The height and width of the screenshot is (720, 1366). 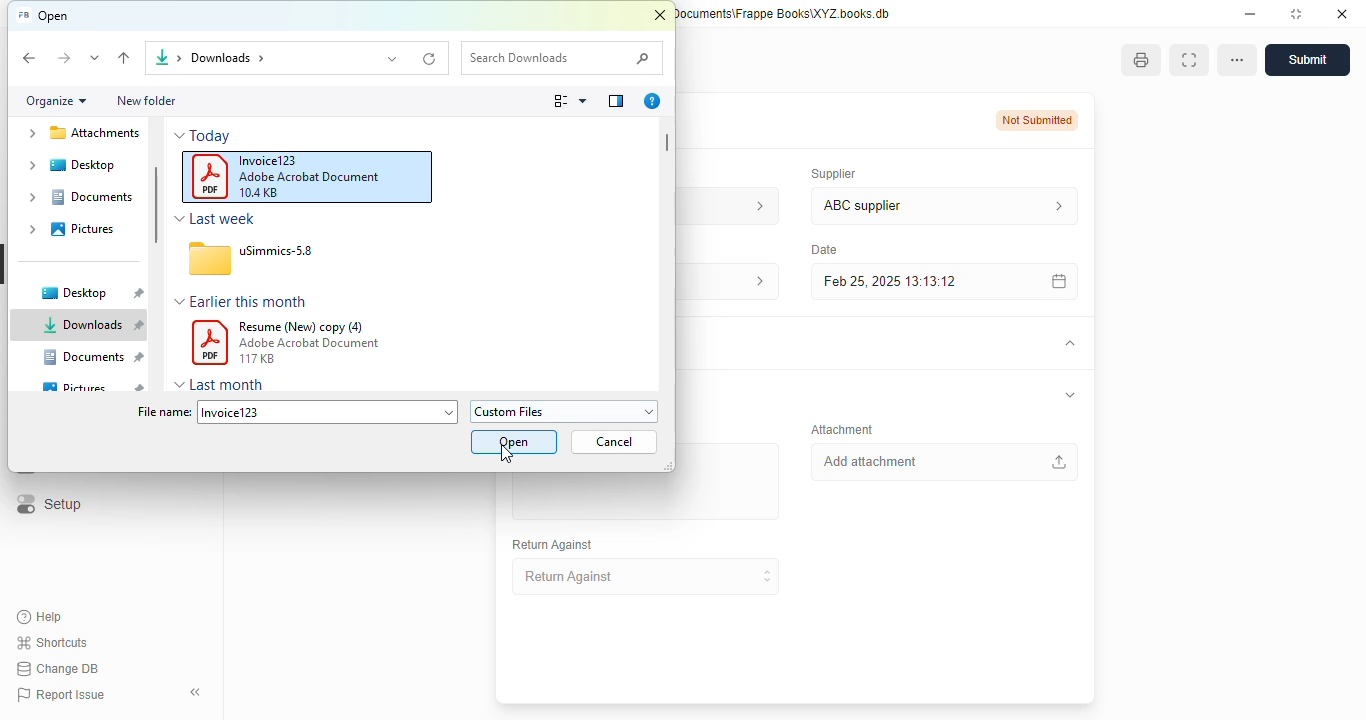 I want to click on toggle expand/contract, so click(x=1068, y=344).